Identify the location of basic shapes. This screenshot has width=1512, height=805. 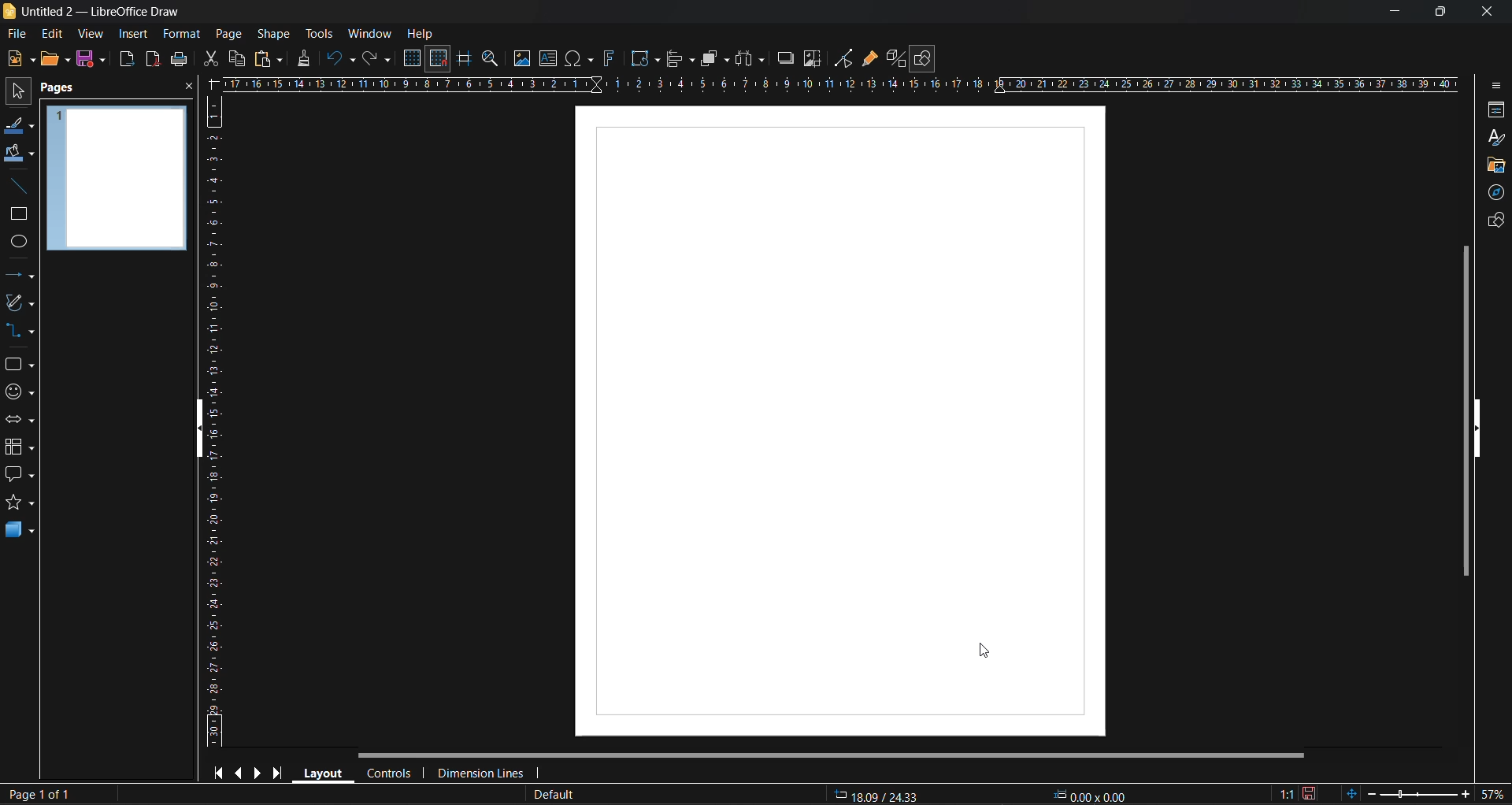
(19, 365).